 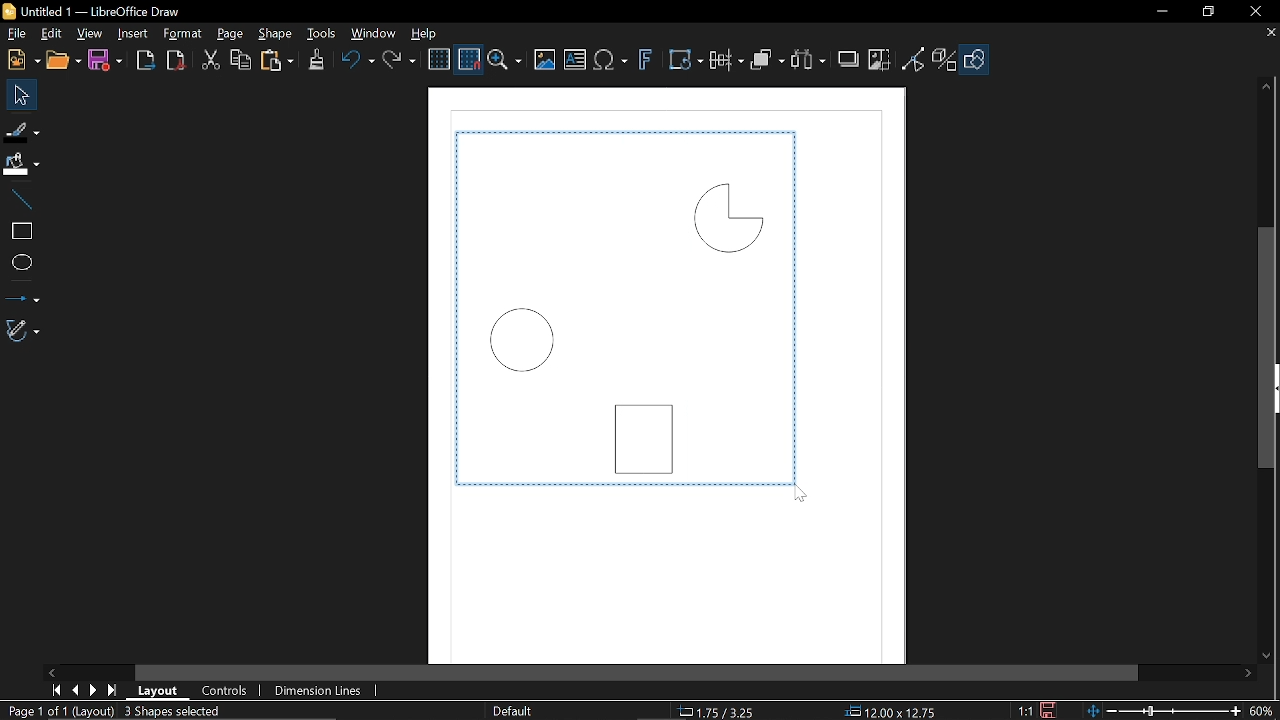 I want to click on Window, so click(x=373, y=34).